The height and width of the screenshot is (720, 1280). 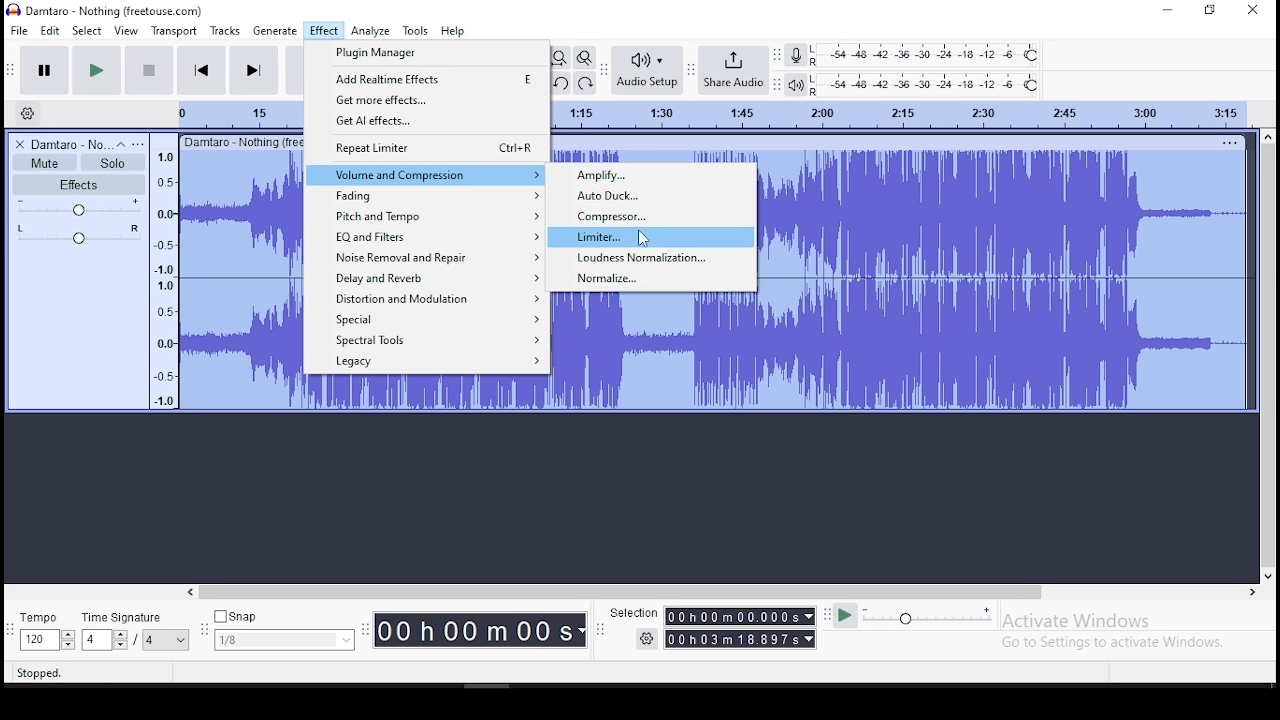 What do you see at coordinates (1164, 9) in the screenshot?
I see `minimize` at bounding box center [1164, 9].